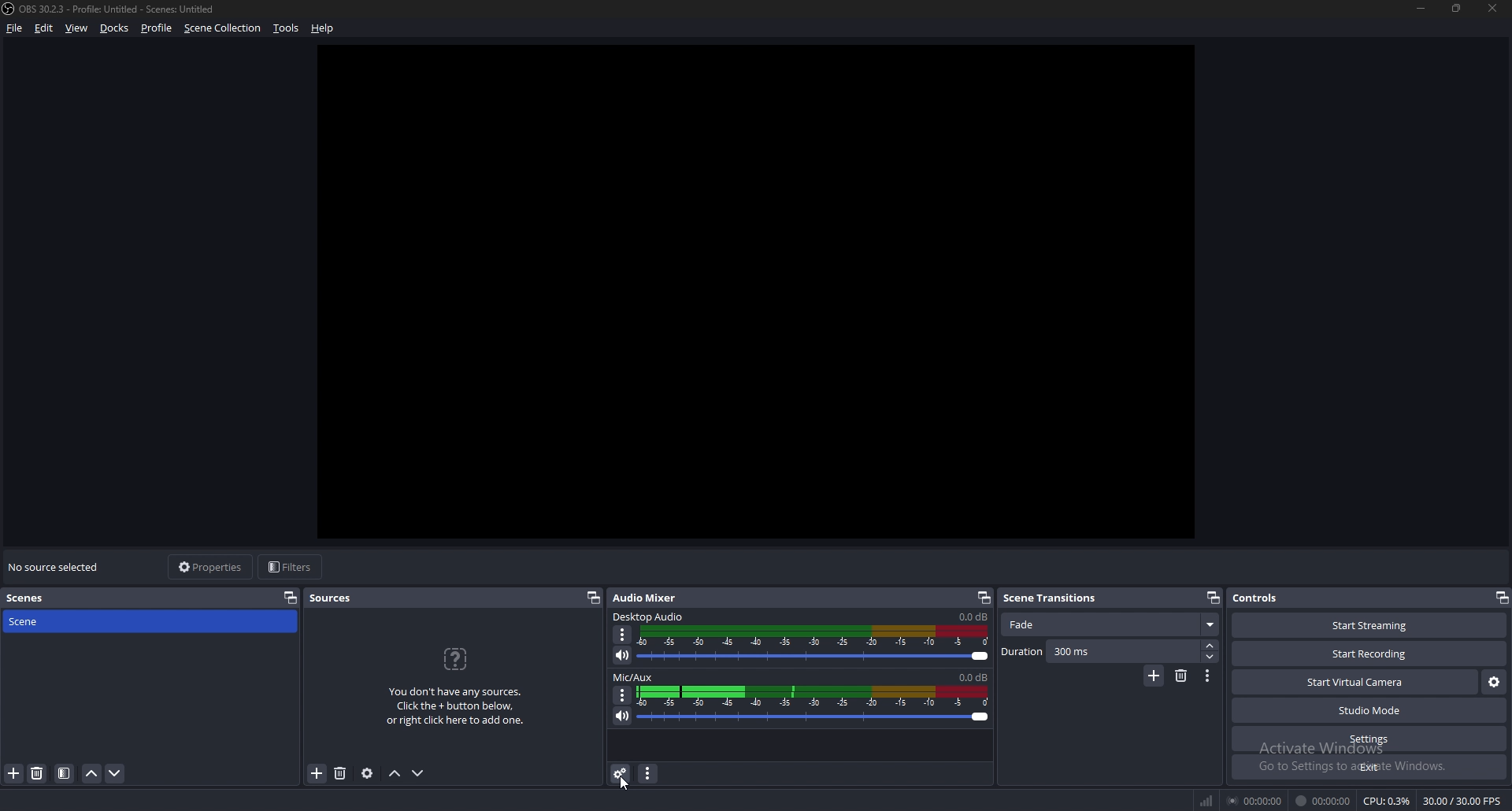  I want to click on workspace, so click(762, 302).